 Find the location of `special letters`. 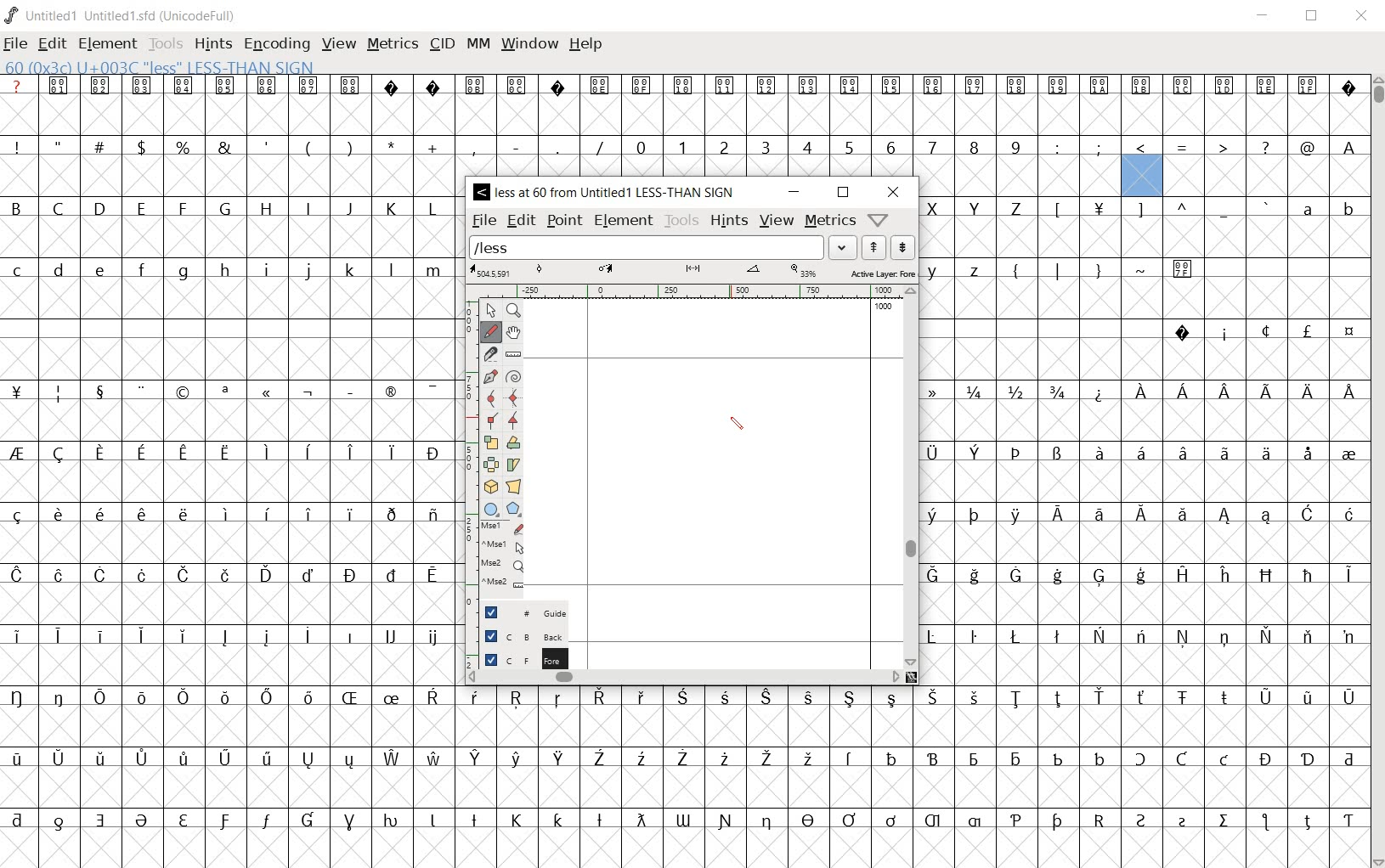

special letters is located at coordinates (1145, 574).